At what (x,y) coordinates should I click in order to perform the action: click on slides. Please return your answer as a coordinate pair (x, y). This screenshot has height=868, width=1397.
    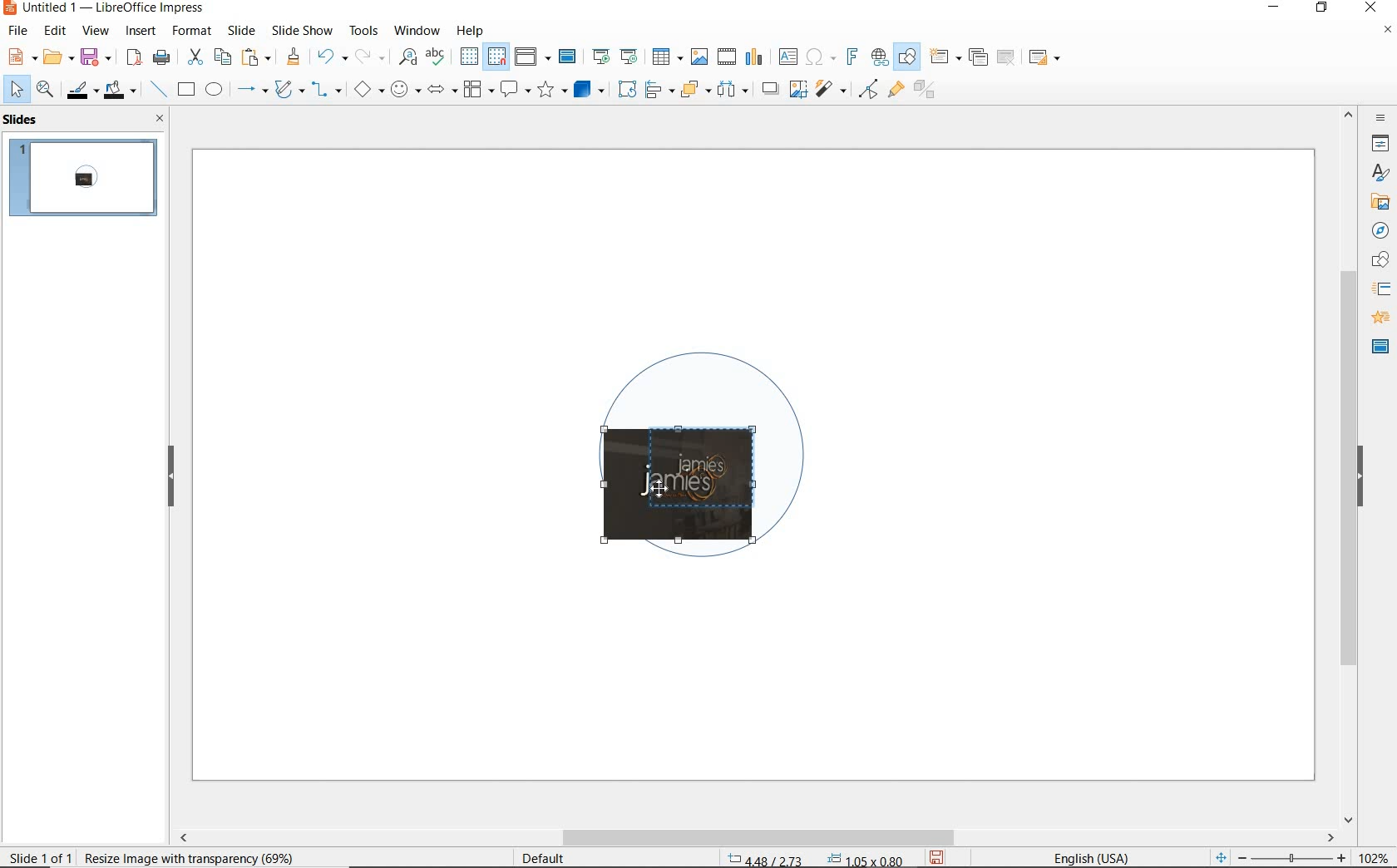
    Looking at the image, I should click on (24, 120).